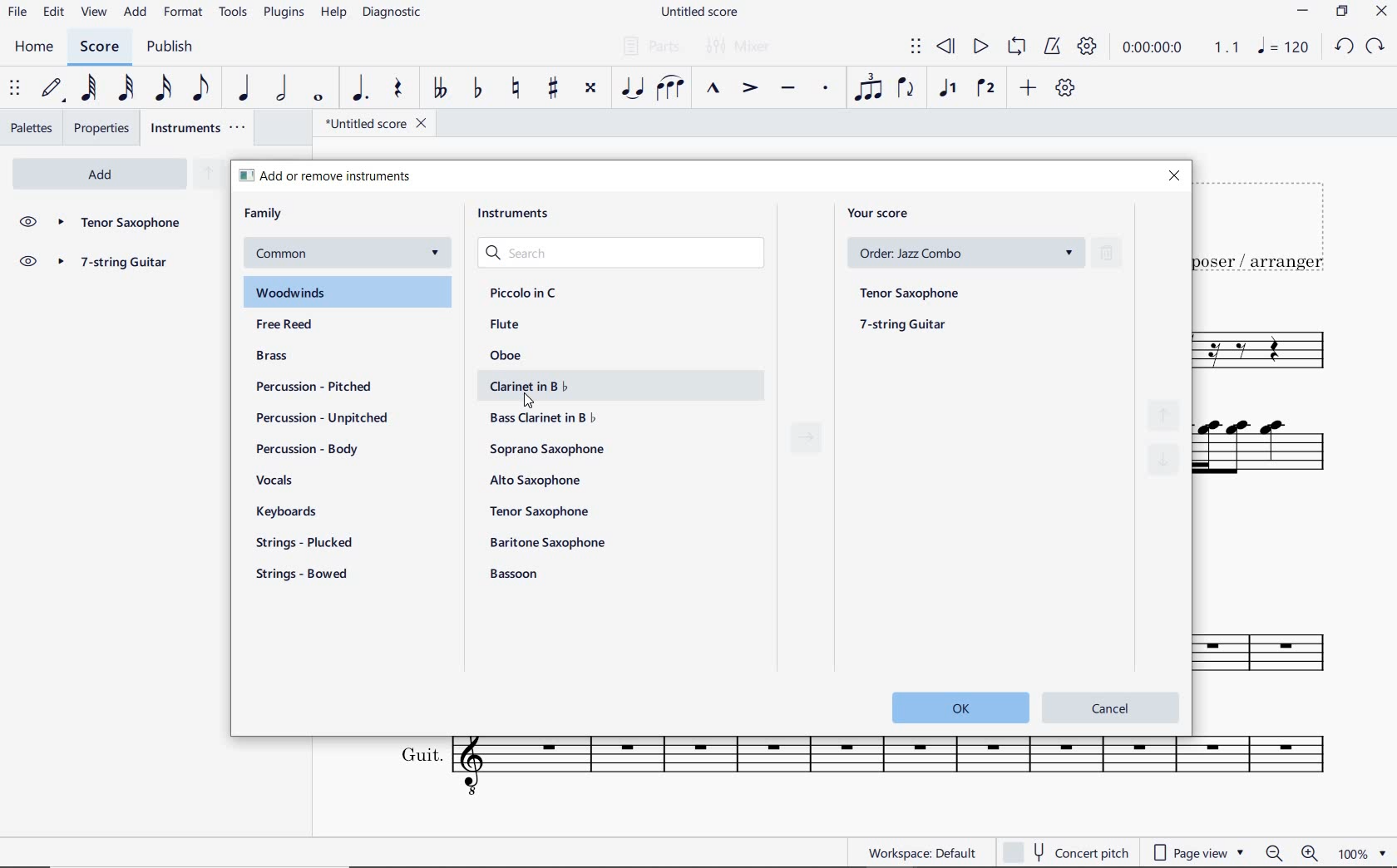 This screenshot has height=868, width=1397. I want to click on 7-string guitar, so click(896, 327).